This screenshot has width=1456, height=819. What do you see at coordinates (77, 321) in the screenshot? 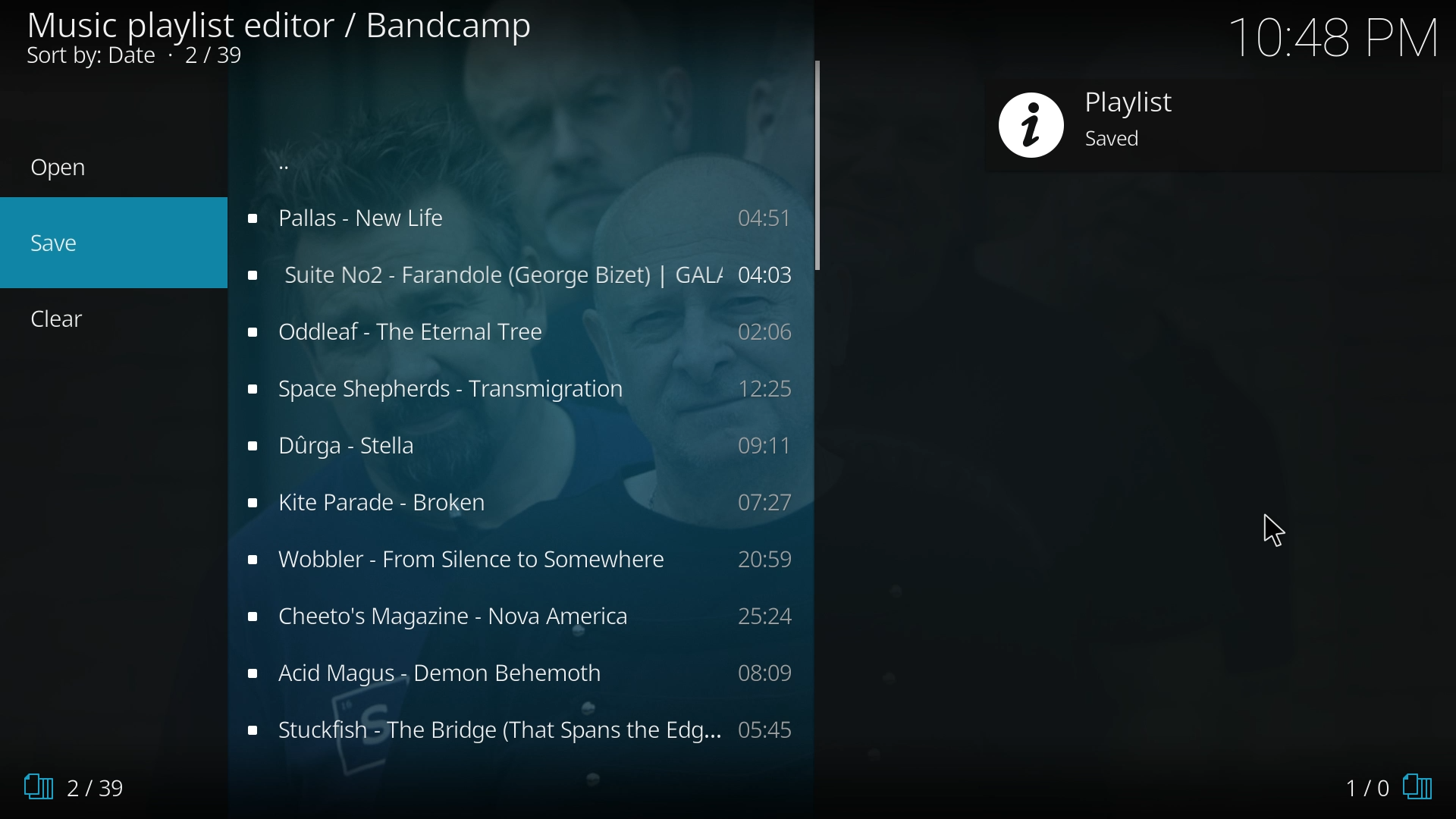
I see `Clear` at bounding box center [77, 321].